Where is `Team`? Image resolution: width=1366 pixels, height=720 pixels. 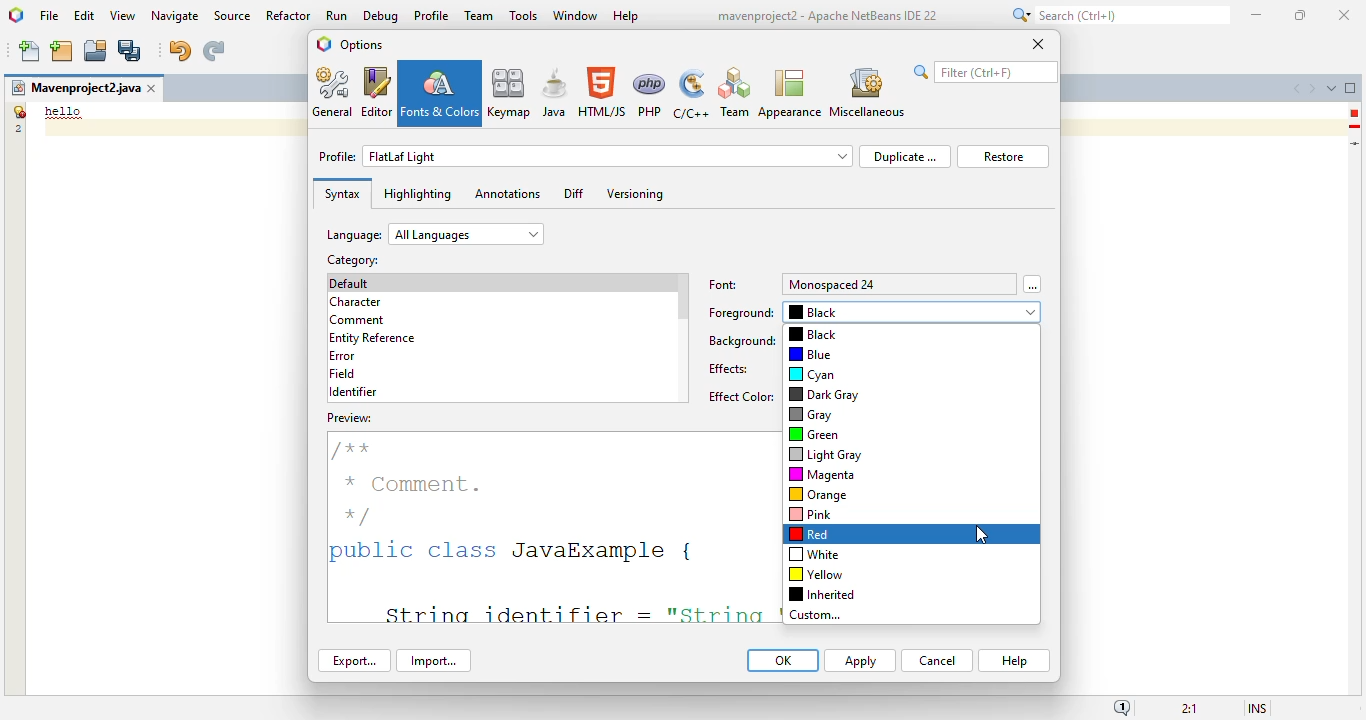
Team is located at coordinates (734, 93).